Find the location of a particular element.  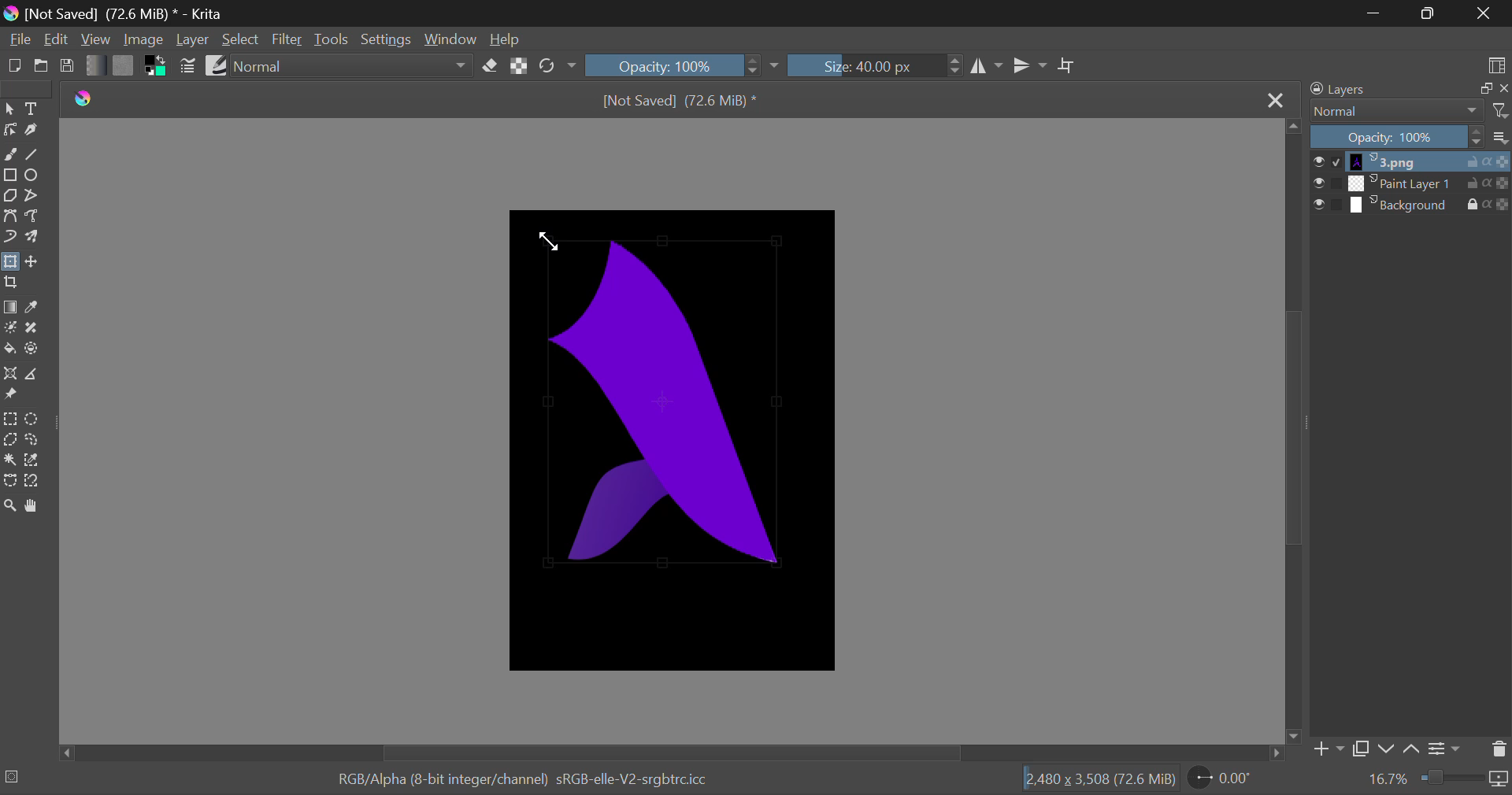

Bezier Curve Selection is located at coordinates (10, 480).